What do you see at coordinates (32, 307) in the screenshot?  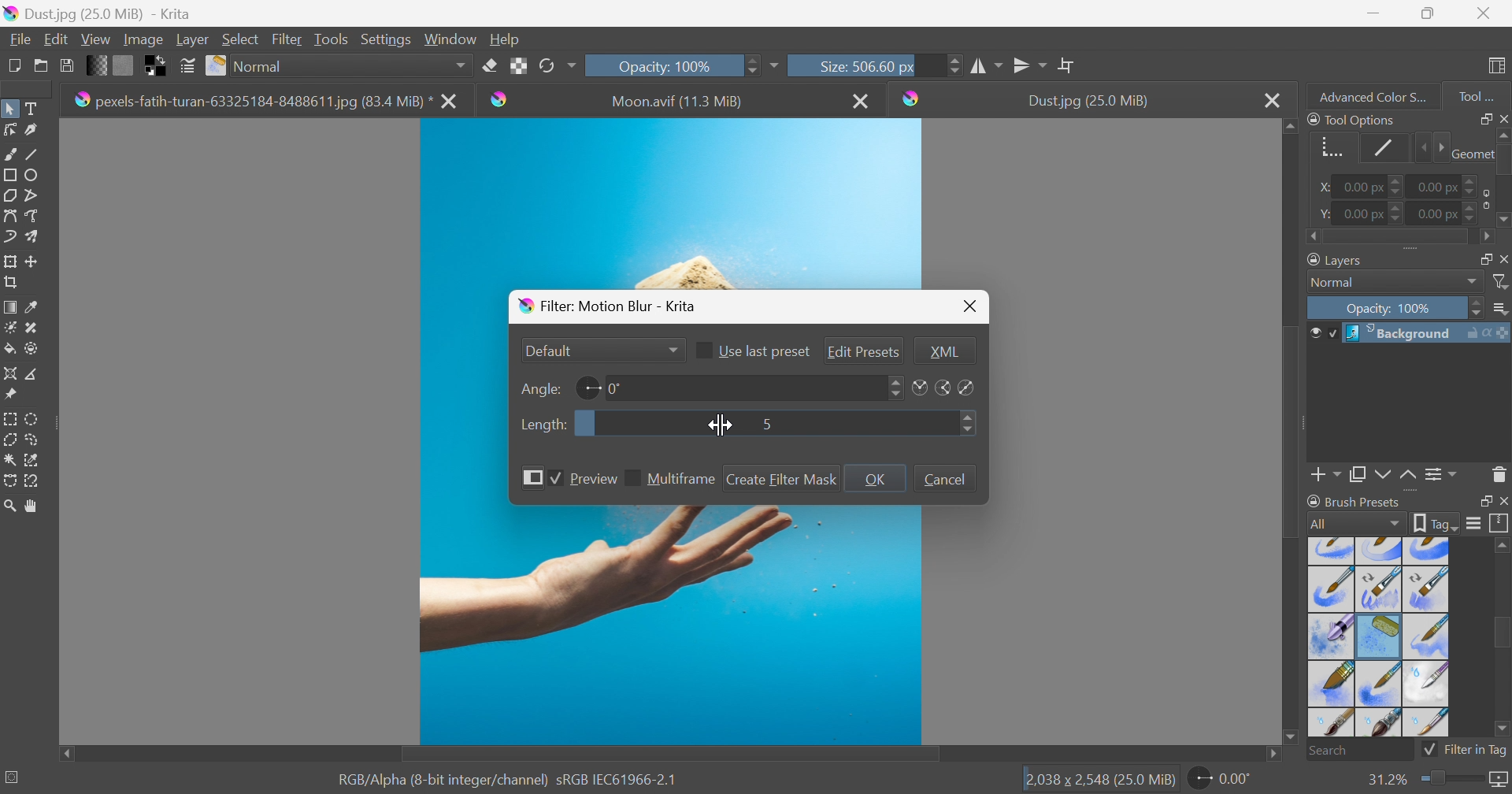 I see `Sample a color from an image or current layer` at bounding box center [32, 307].